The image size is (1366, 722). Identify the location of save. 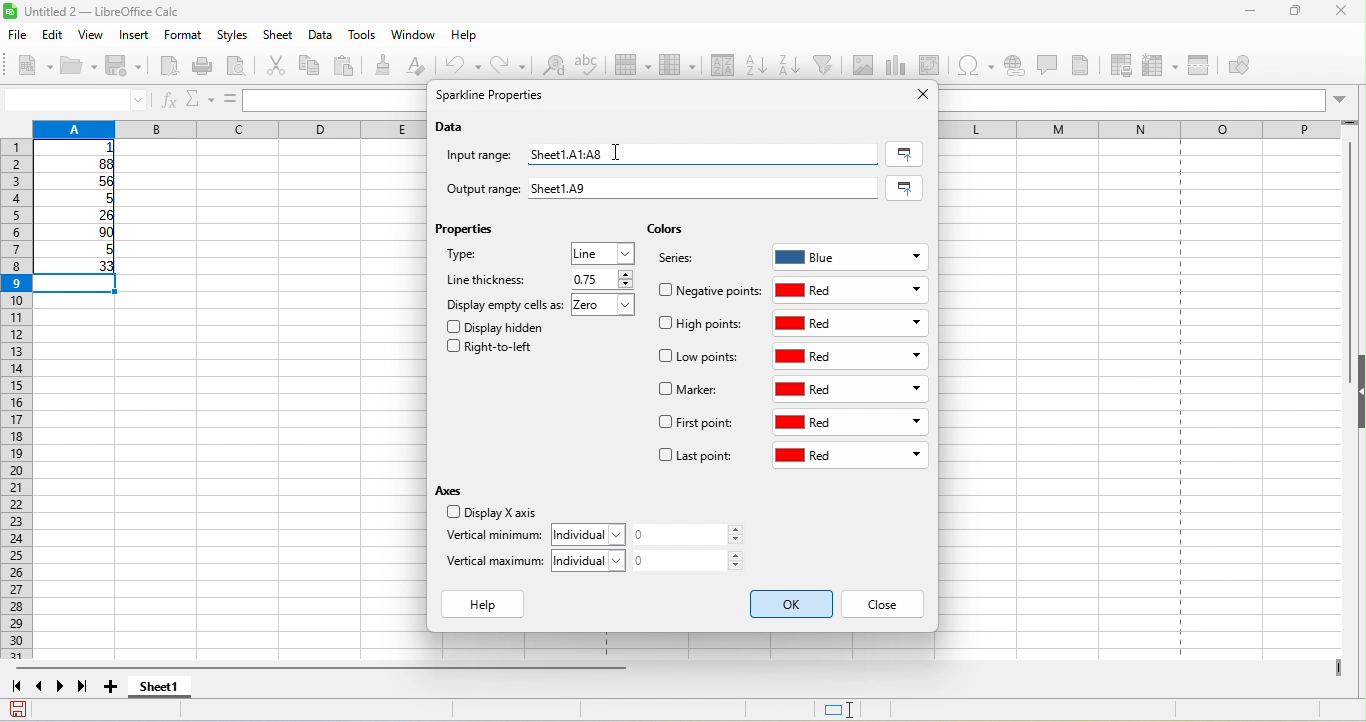
(128, 68).